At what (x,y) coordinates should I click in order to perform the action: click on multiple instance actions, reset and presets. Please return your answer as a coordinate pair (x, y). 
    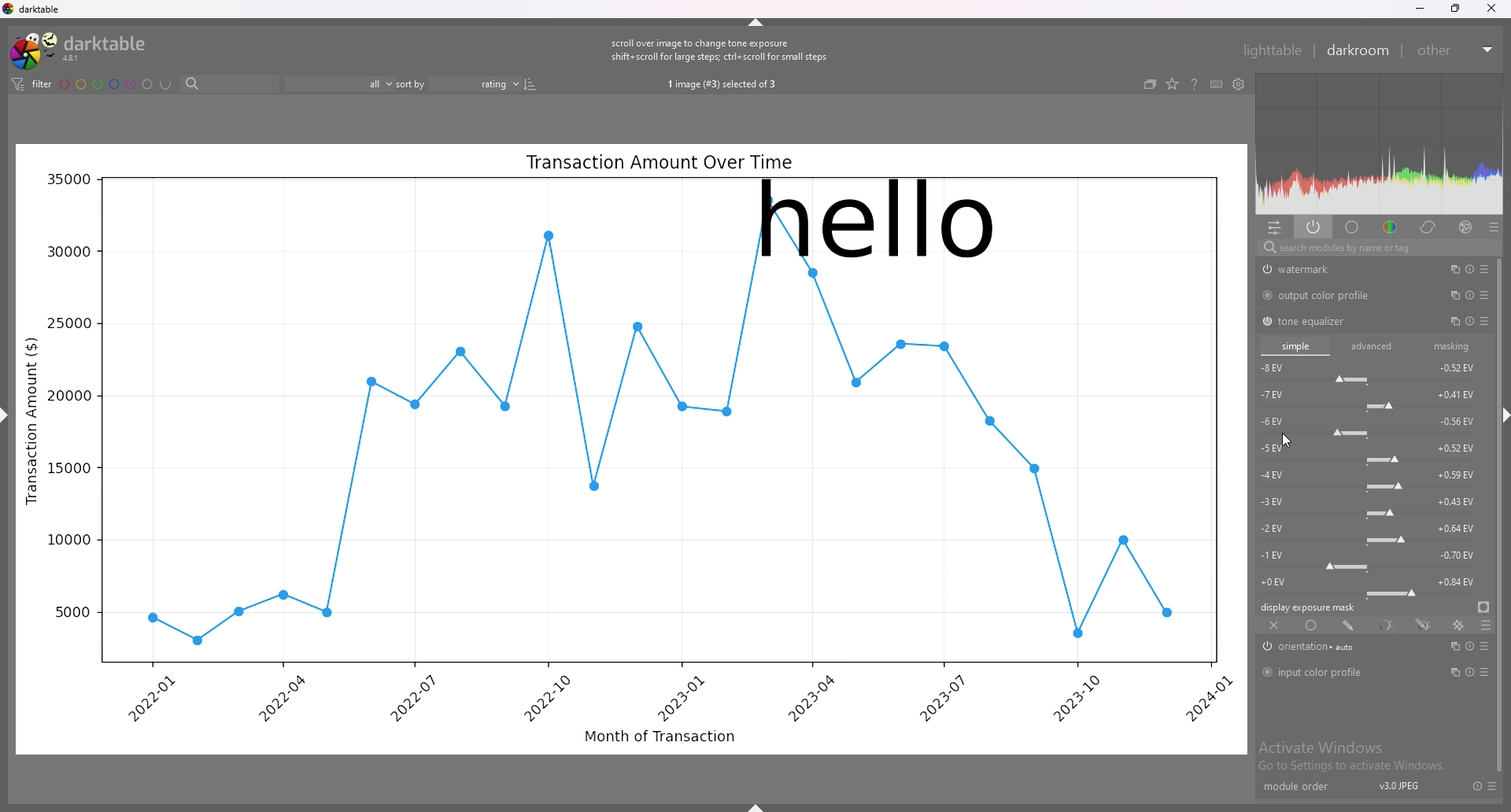
    Looking at the image, I should click on (1469, 647).